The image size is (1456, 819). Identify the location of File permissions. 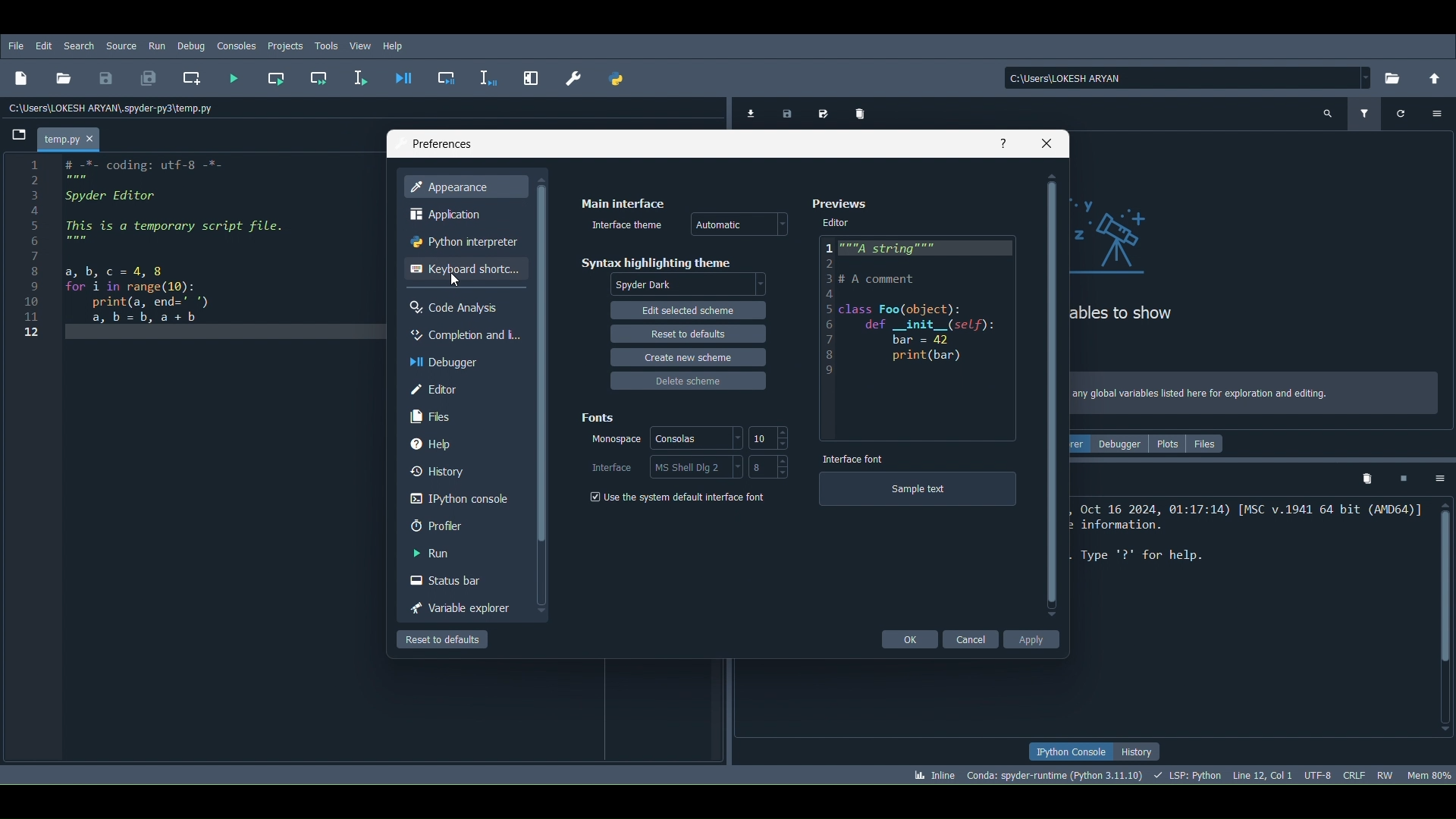
(1385, 774).